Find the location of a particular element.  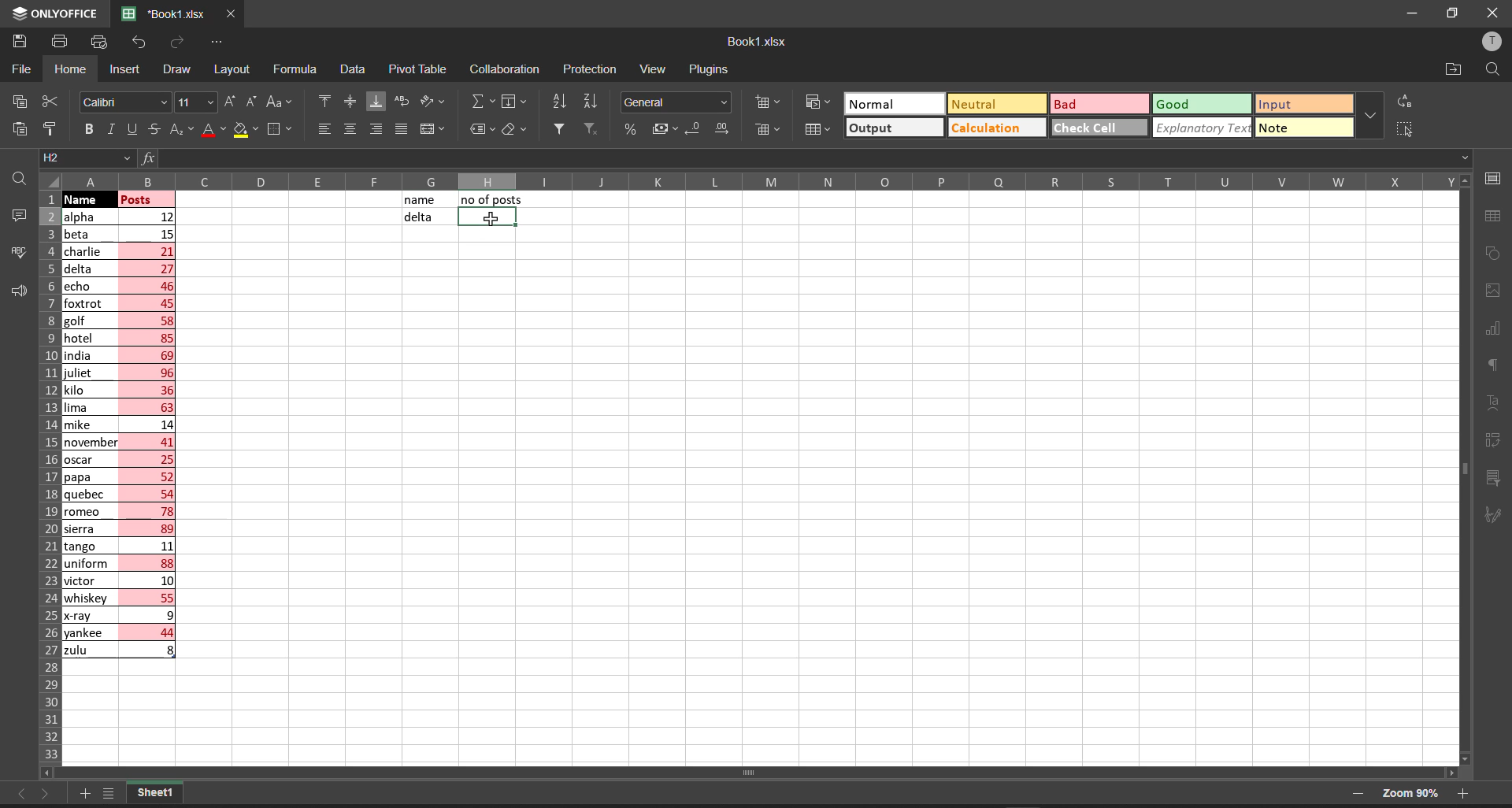

copy style is located at coordinates (55, 128).